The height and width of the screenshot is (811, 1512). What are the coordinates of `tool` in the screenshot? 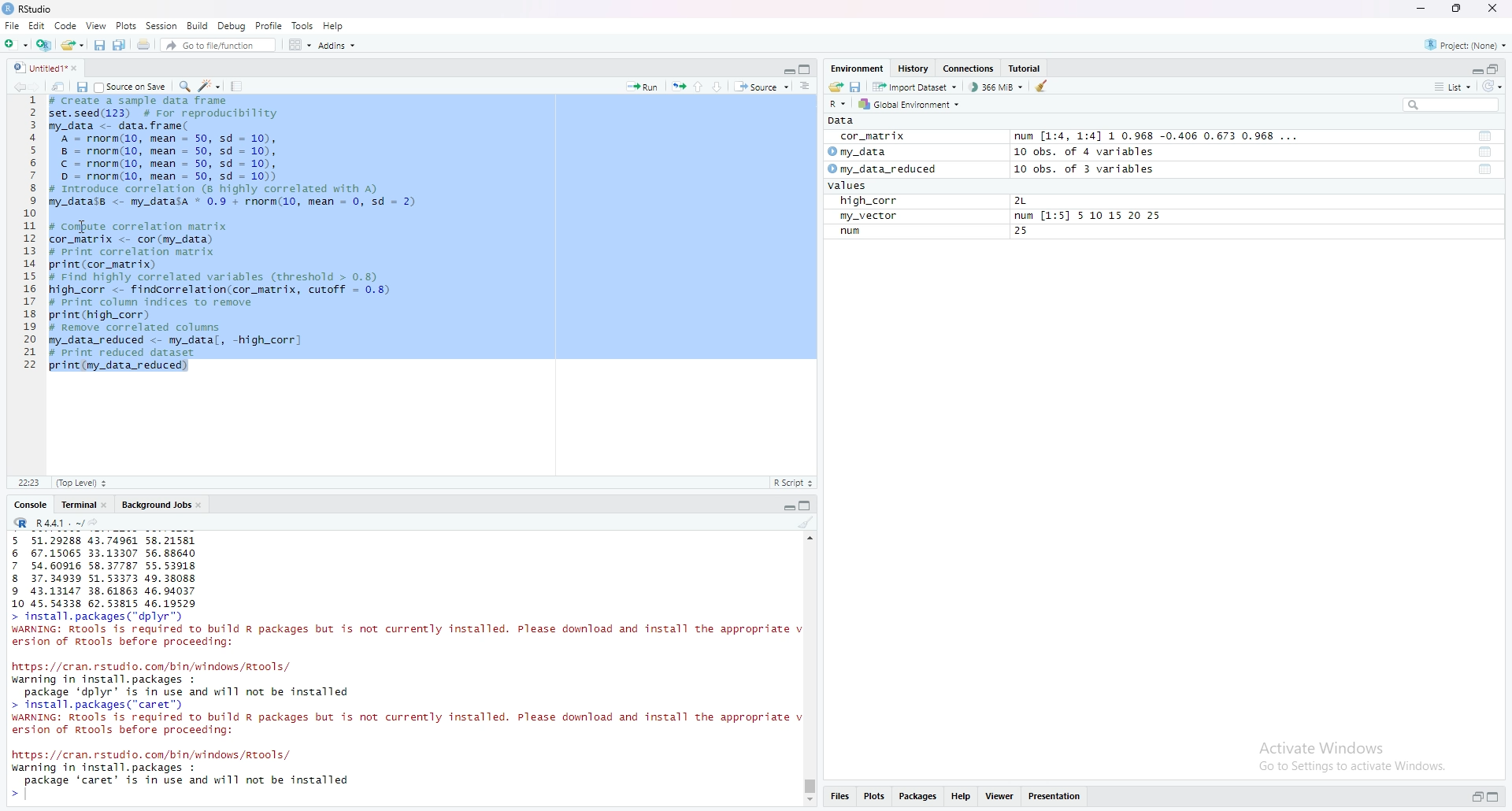 It's located at (1486, 152).